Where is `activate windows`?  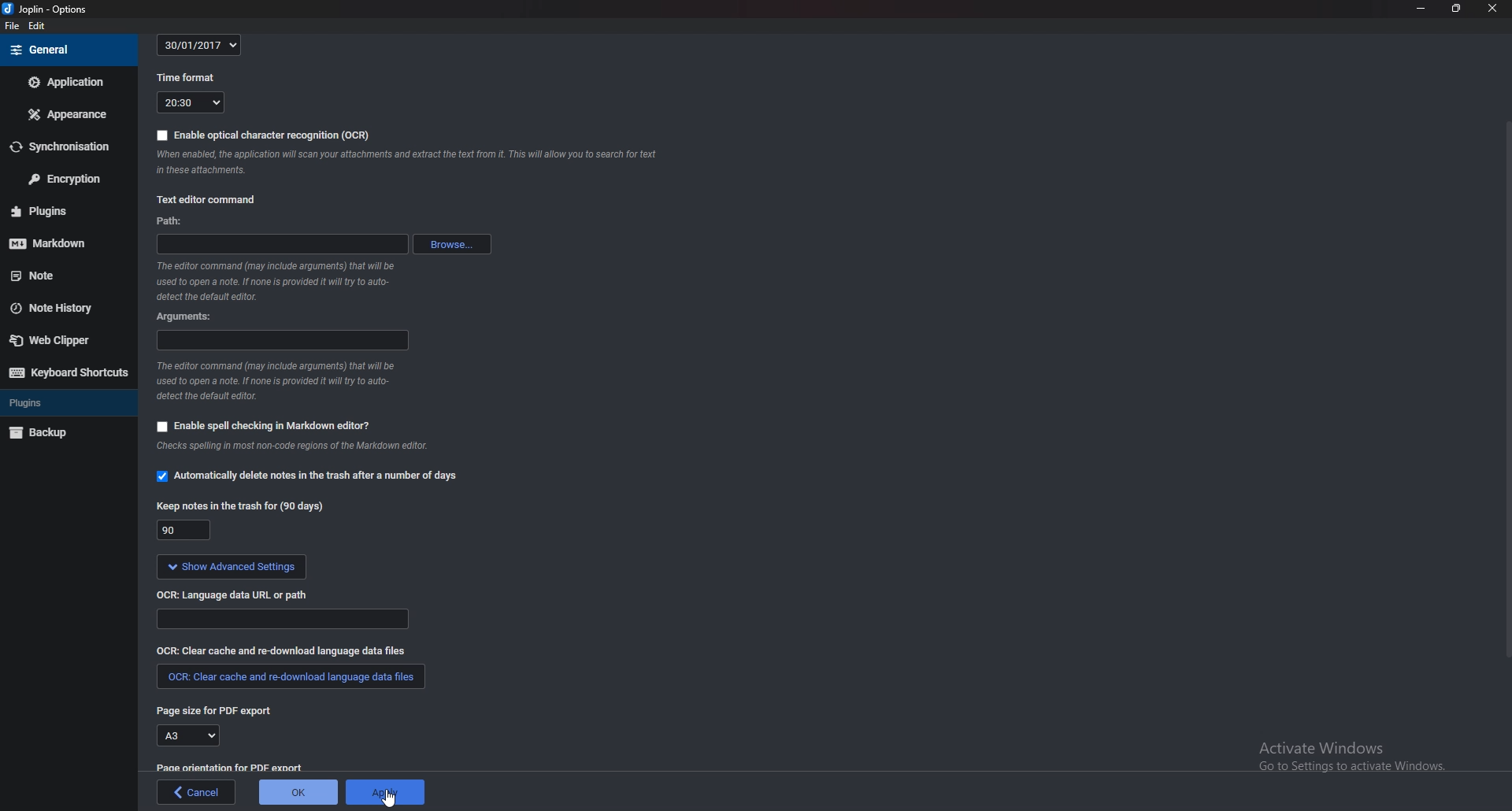 activate windows is located at coordinates (1346, 756).